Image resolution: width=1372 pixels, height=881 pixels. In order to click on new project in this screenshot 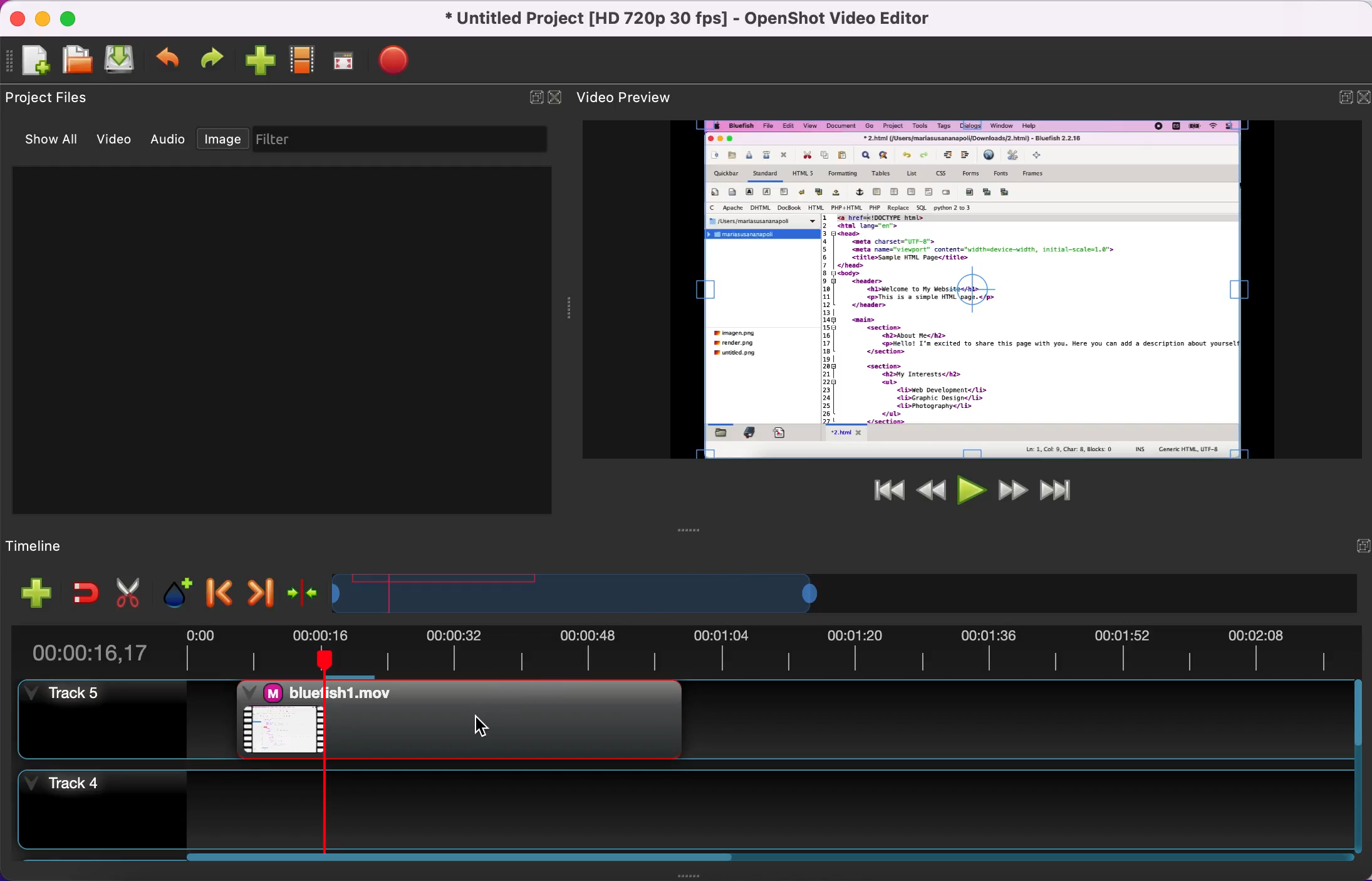, I will do `click(36, 63)`.